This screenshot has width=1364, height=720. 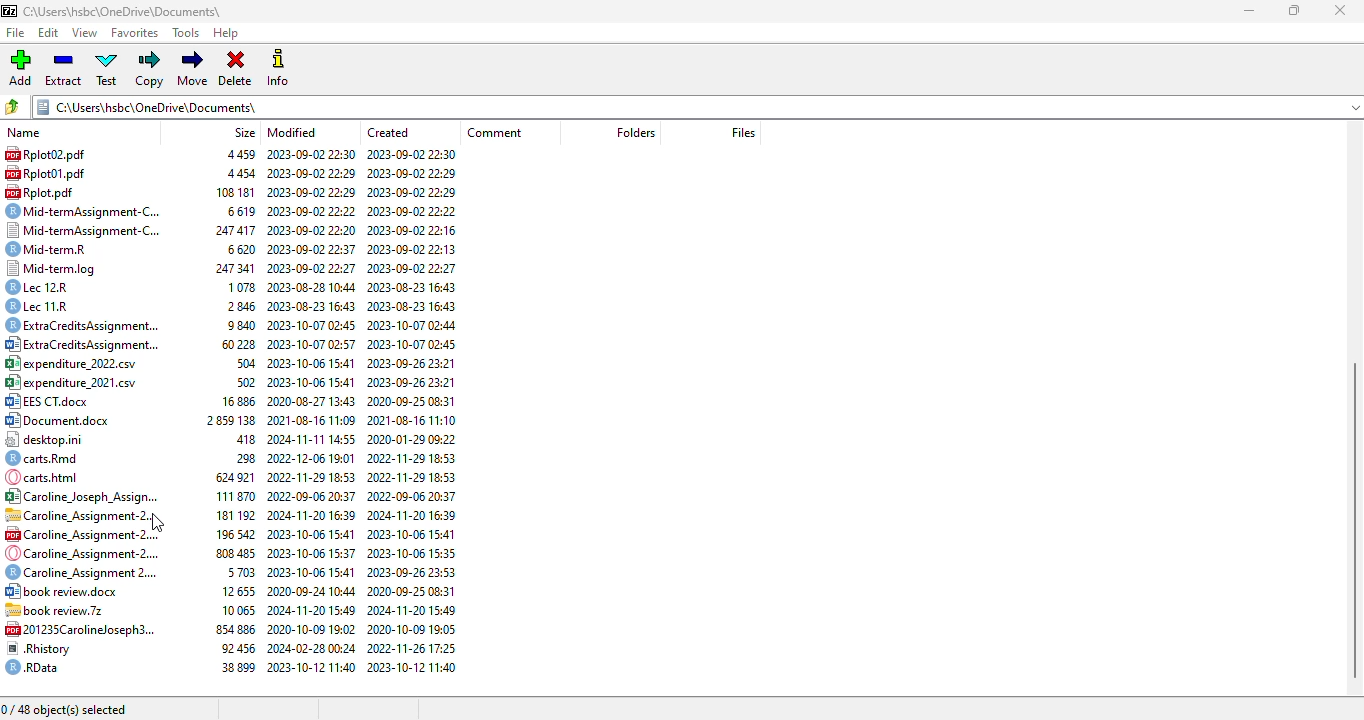 I want to click on  expenditure 2021.cov, so click(x=75, y=383).